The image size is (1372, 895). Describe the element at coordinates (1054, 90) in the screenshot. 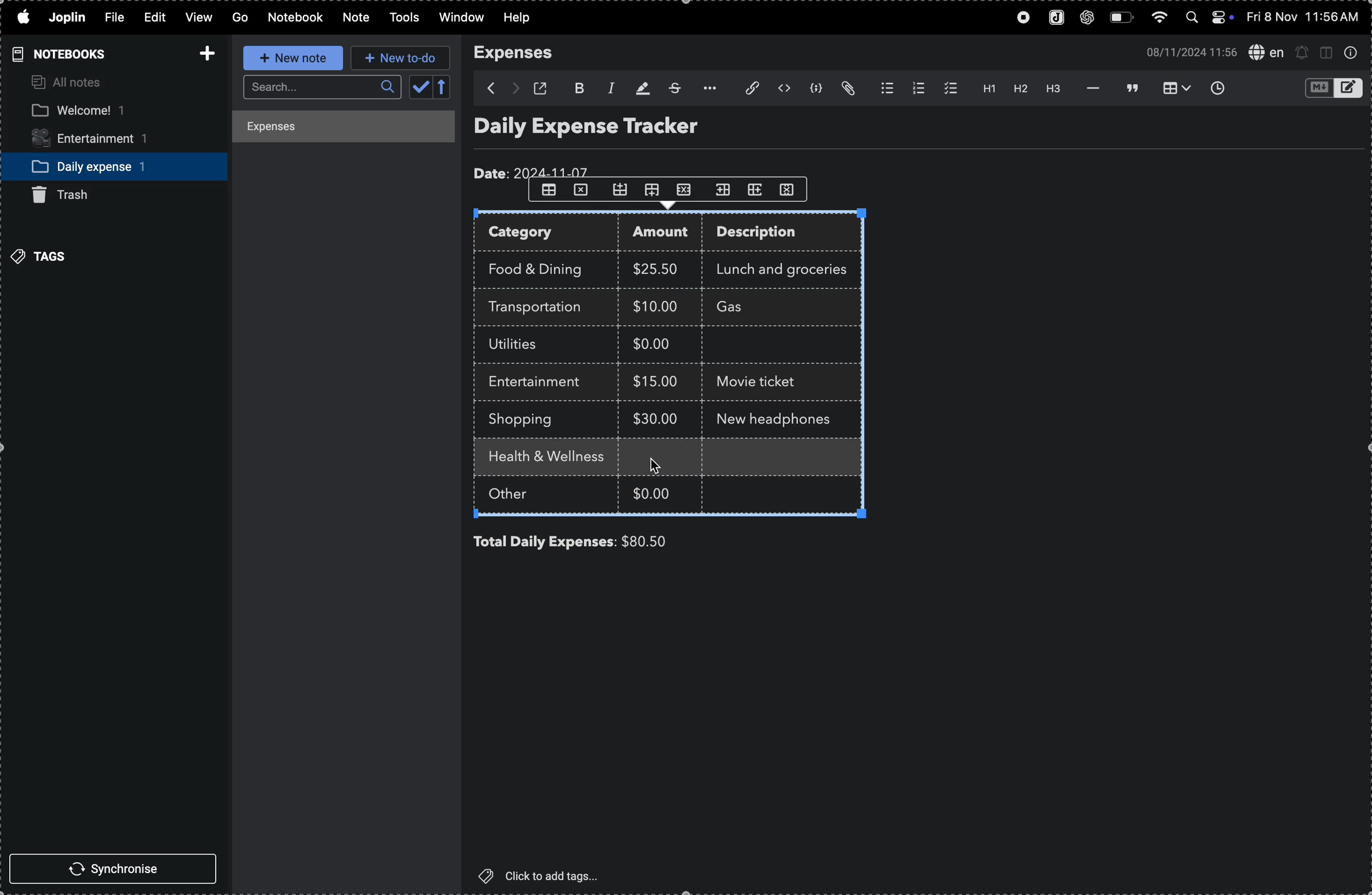

I see `heading 3` at that location.